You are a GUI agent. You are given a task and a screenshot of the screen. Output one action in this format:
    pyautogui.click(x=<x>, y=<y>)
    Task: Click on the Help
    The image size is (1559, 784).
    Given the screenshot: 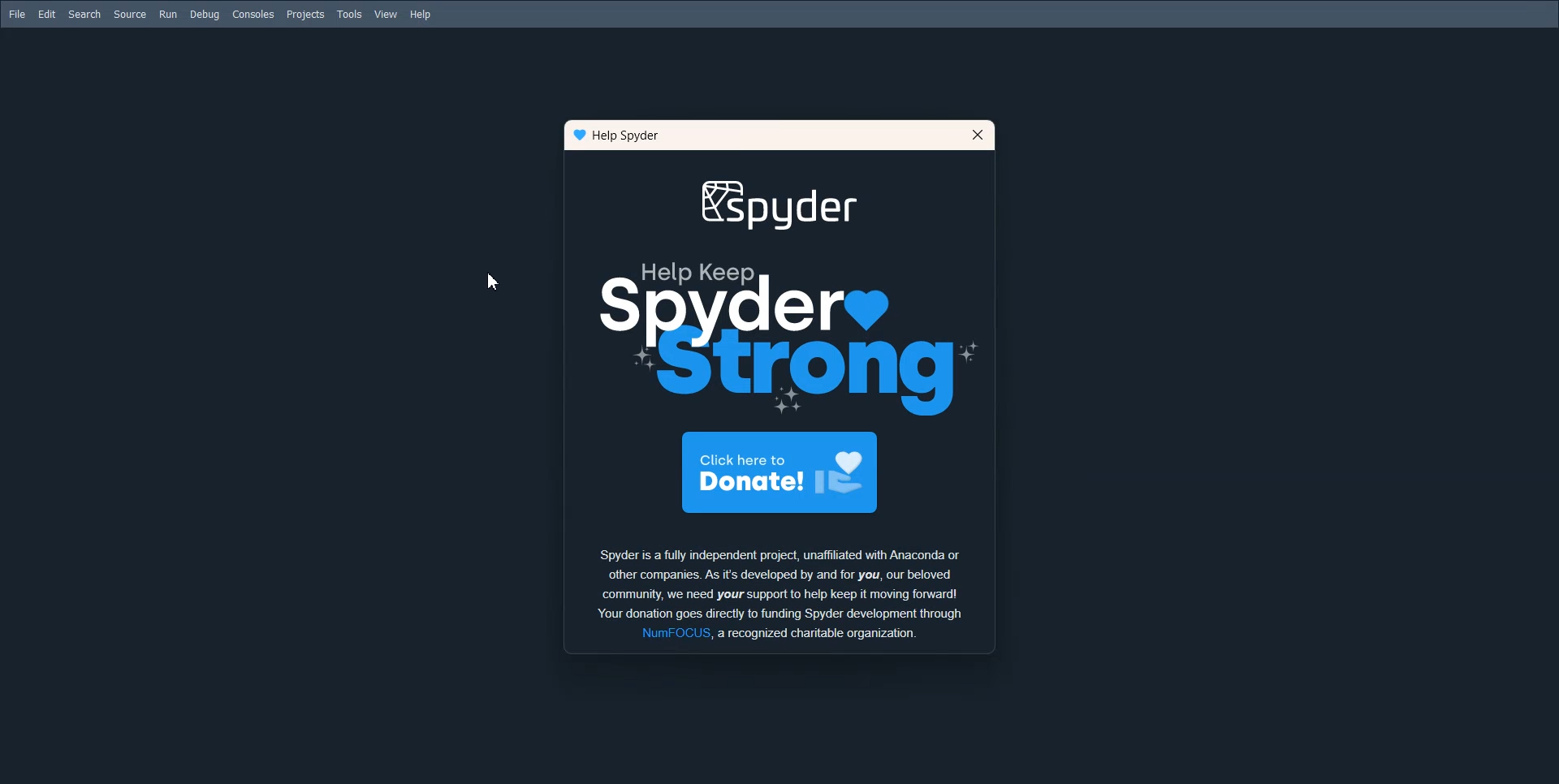 What is the action you would take?
    pyautogui.click(x=421, y=14)
    